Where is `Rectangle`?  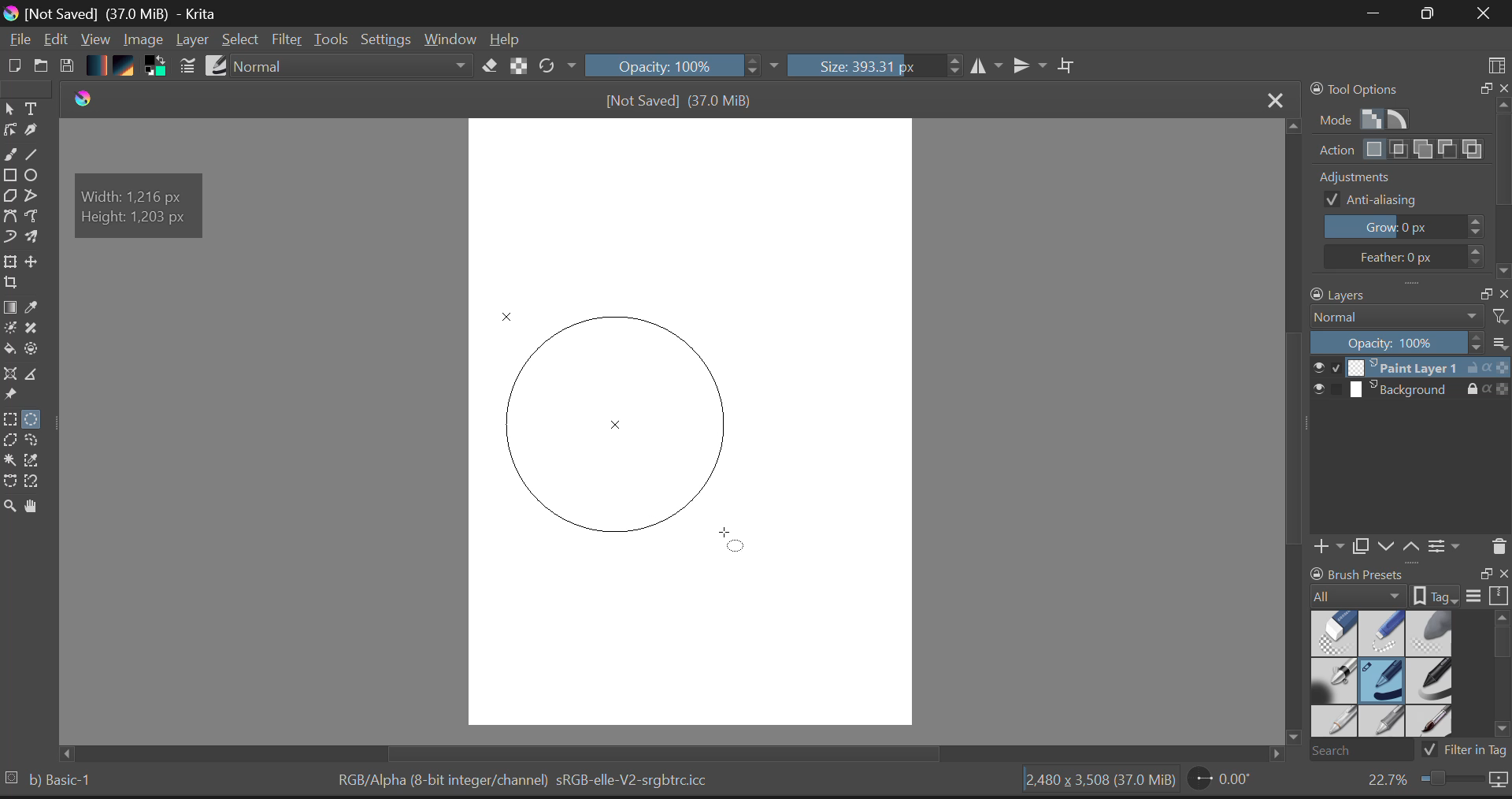 Rectangle is located at coordinates (13, 178).